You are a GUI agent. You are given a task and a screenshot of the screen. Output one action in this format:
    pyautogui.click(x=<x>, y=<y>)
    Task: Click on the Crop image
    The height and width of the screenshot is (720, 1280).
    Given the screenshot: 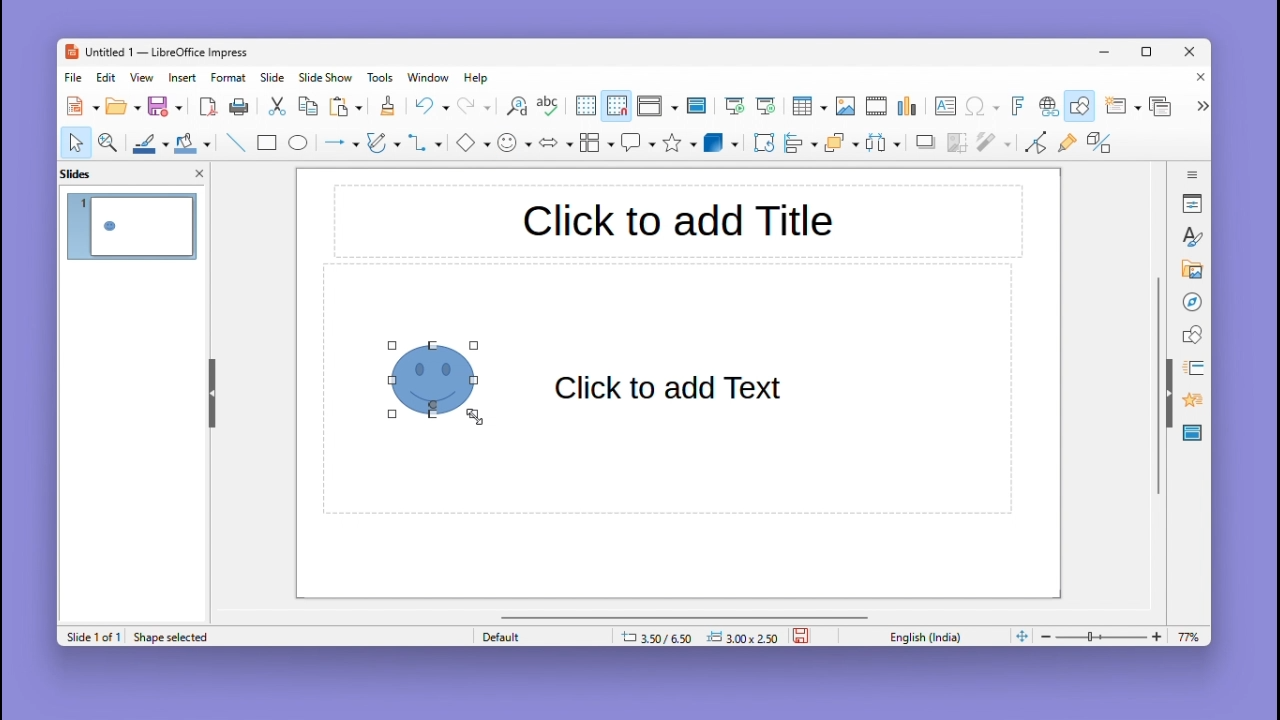 What is the action you would take?
    pyautogui.click(x=958, y=147)
    